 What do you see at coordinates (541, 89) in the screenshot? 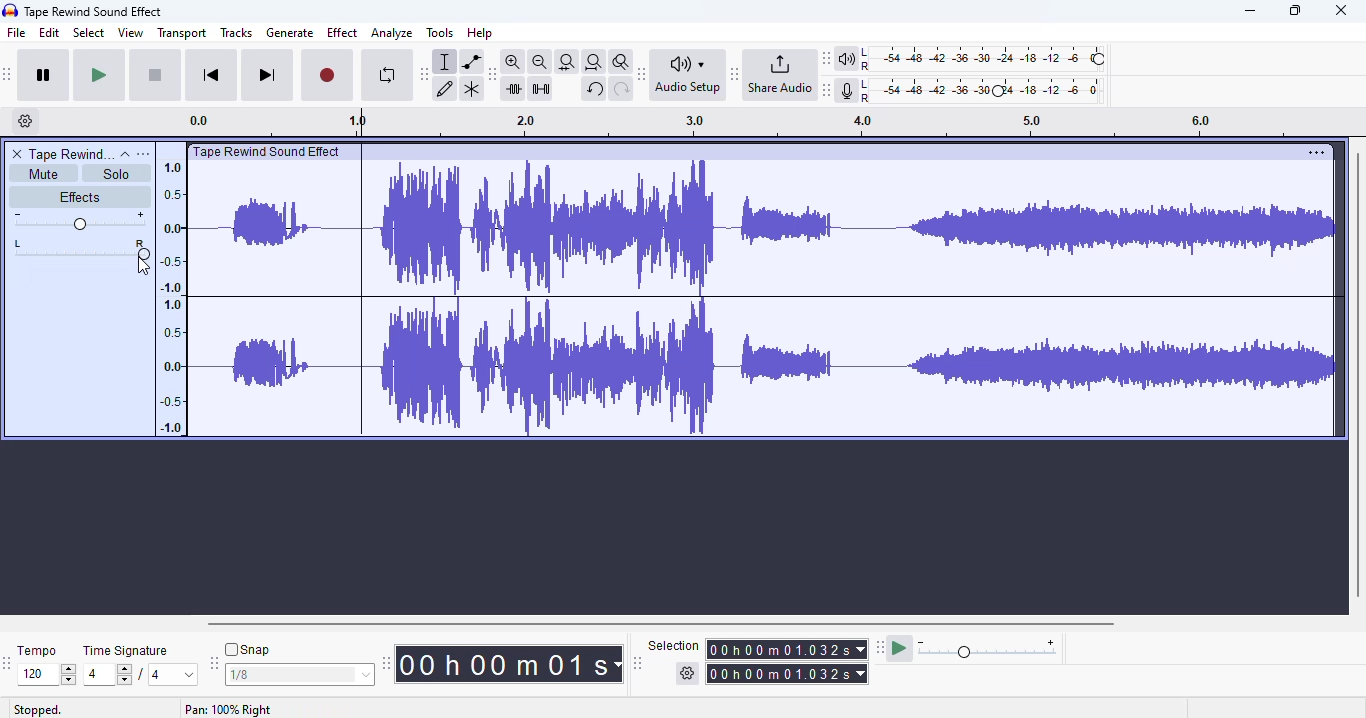
I see `silence audio selection` at bounding box center [541, 89].